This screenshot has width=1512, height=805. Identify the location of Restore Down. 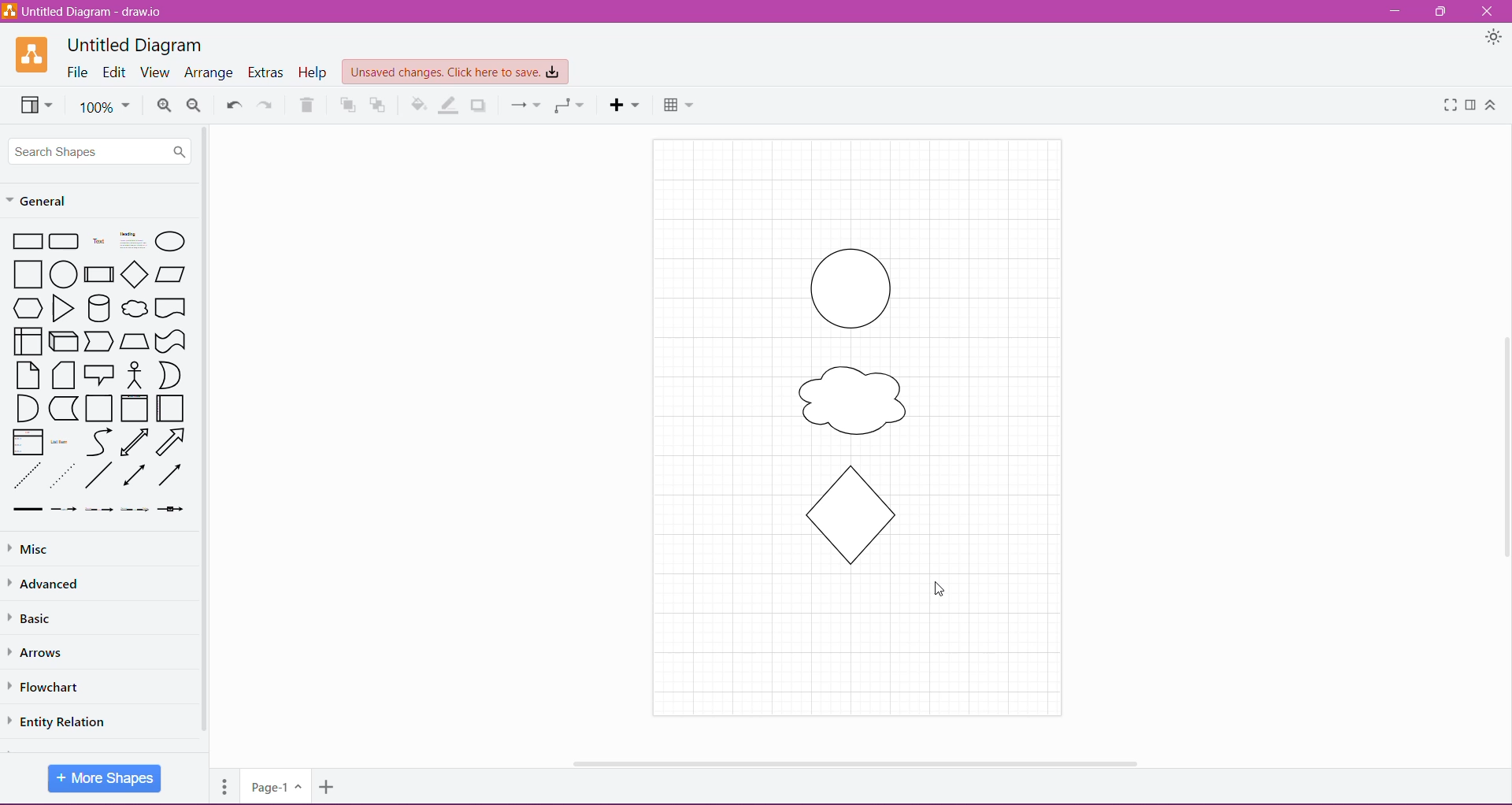
(1443, 11).